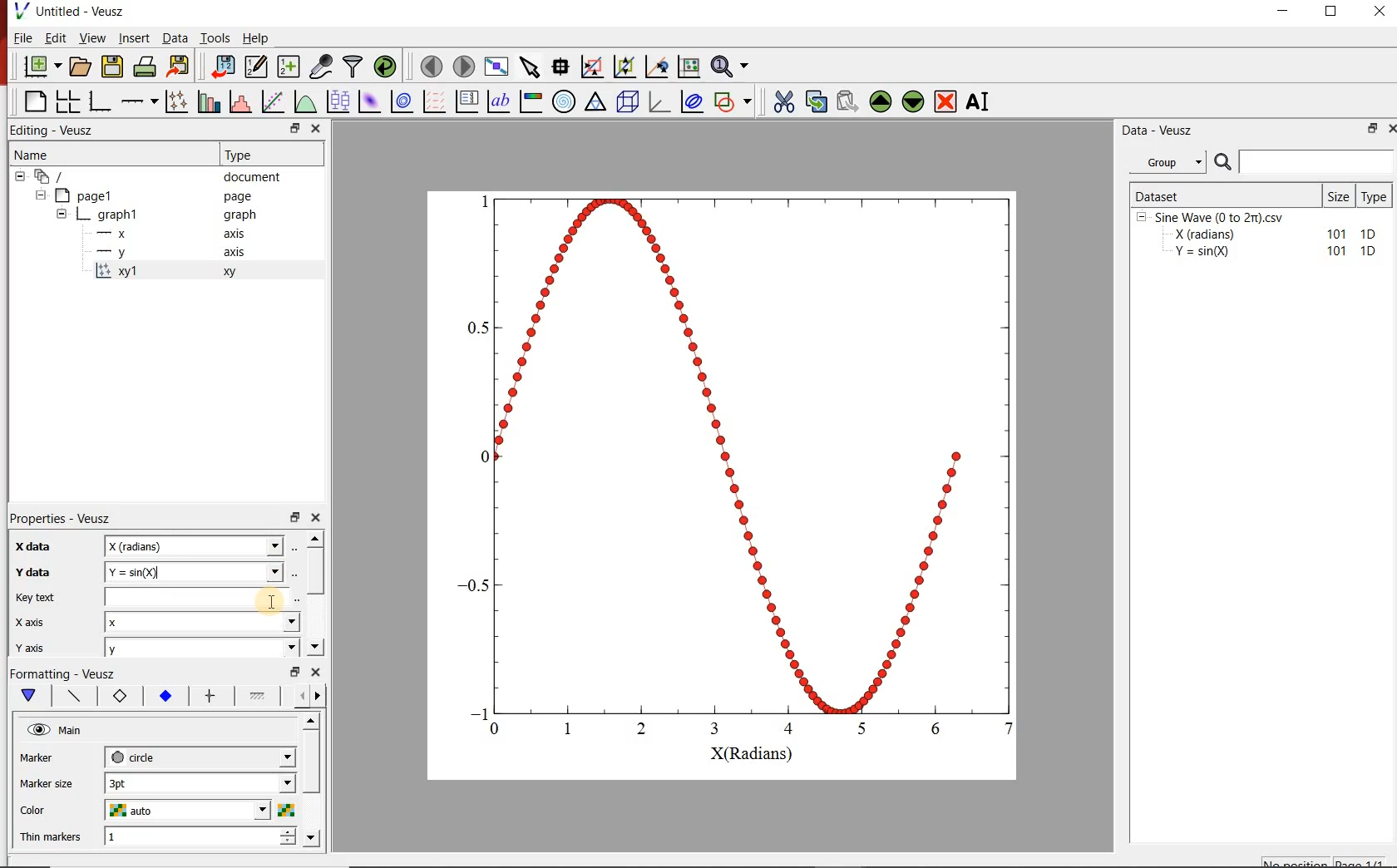 The width and height of the screenshot is (1397, 868). Describe the element at coordinates (1377, 195) in the screenshot. I see `Type` at that location.